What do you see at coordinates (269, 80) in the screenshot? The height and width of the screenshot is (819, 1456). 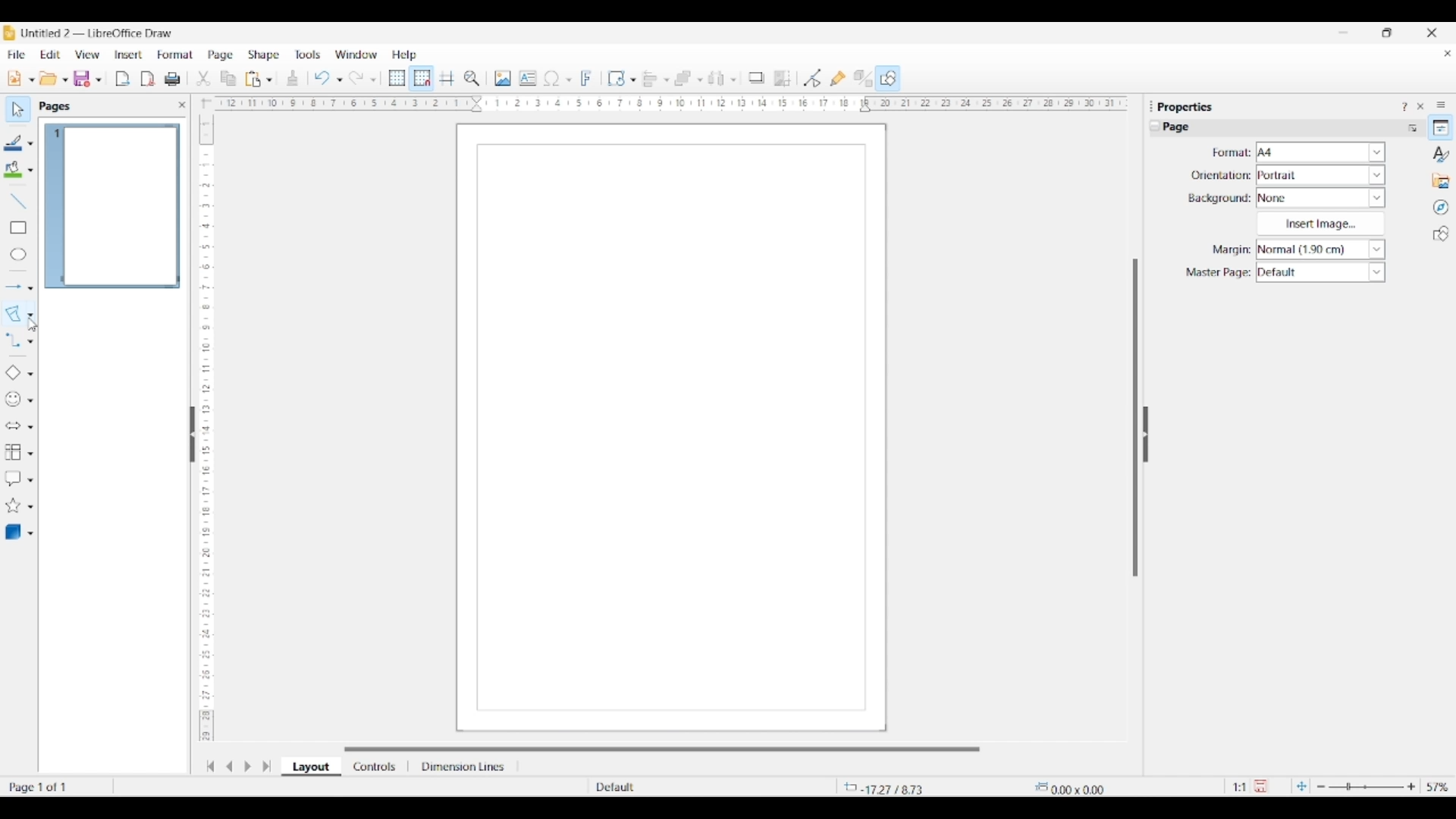 I see `Paste options` at bounding box center [269, 80].